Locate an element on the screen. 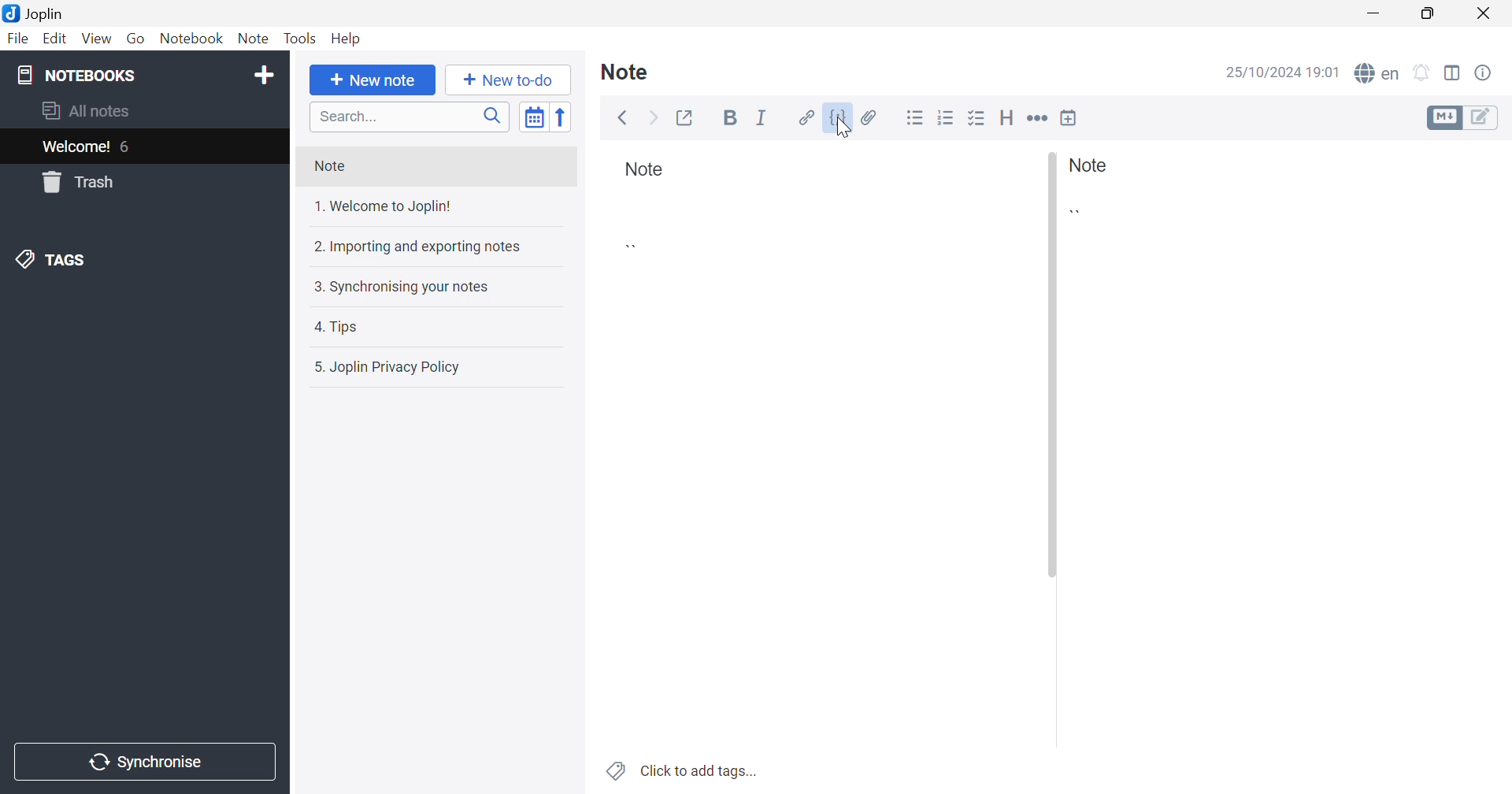 The image size is (1512, 794). Tags is located at coordinates (55, 259).